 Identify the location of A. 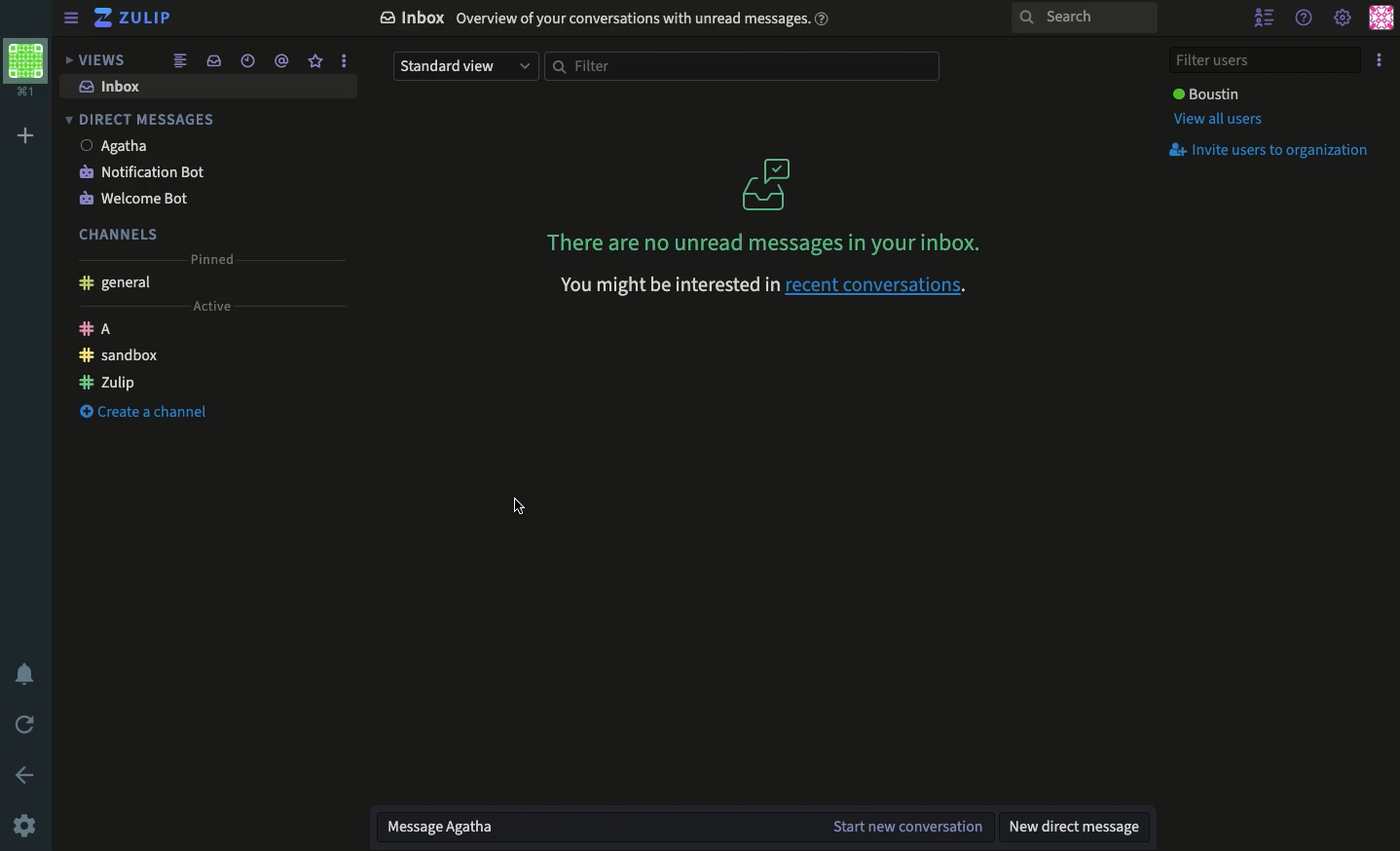
(95, 330).